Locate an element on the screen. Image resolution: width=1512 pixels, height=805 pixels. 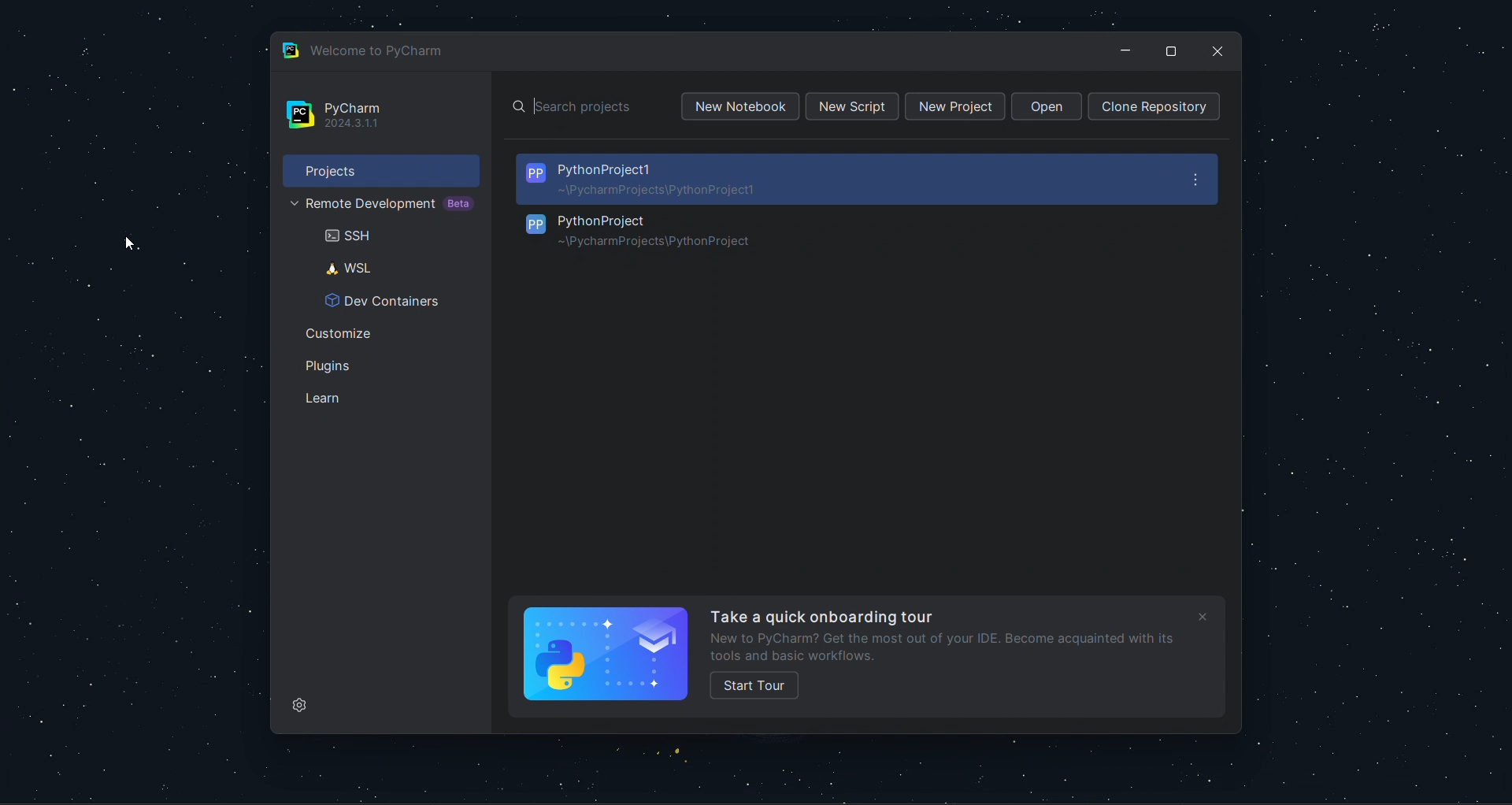
PythonProject1 is located at coordinates (610, 167).